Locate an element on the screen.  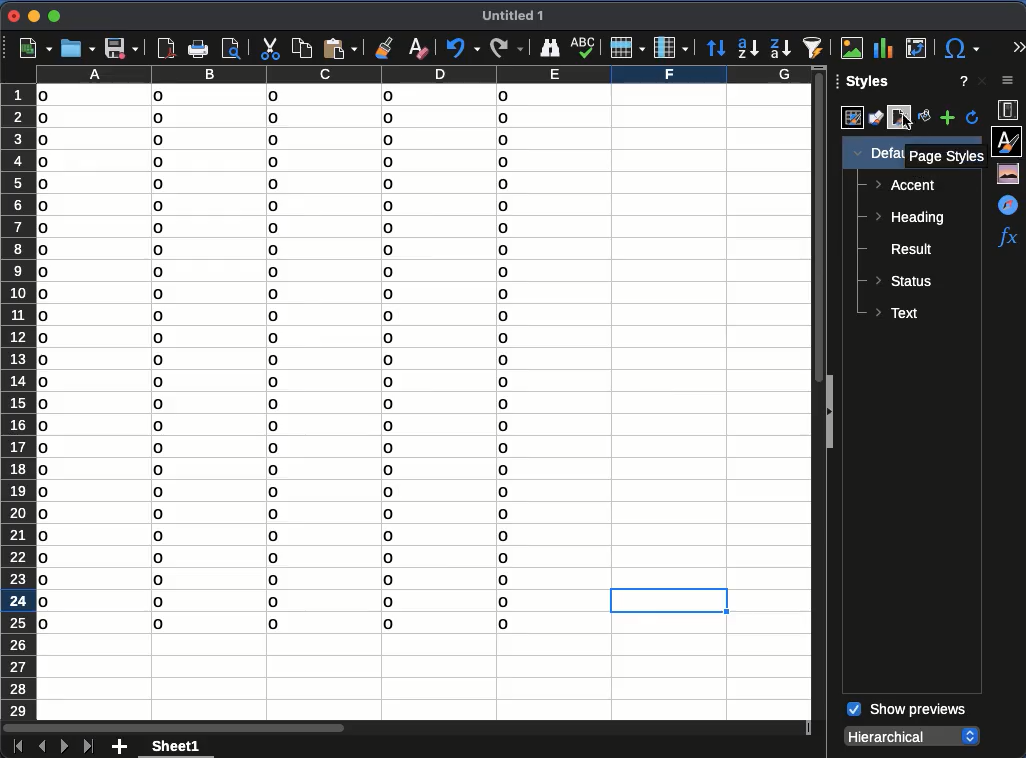
open is located at coordinates (77, 48).